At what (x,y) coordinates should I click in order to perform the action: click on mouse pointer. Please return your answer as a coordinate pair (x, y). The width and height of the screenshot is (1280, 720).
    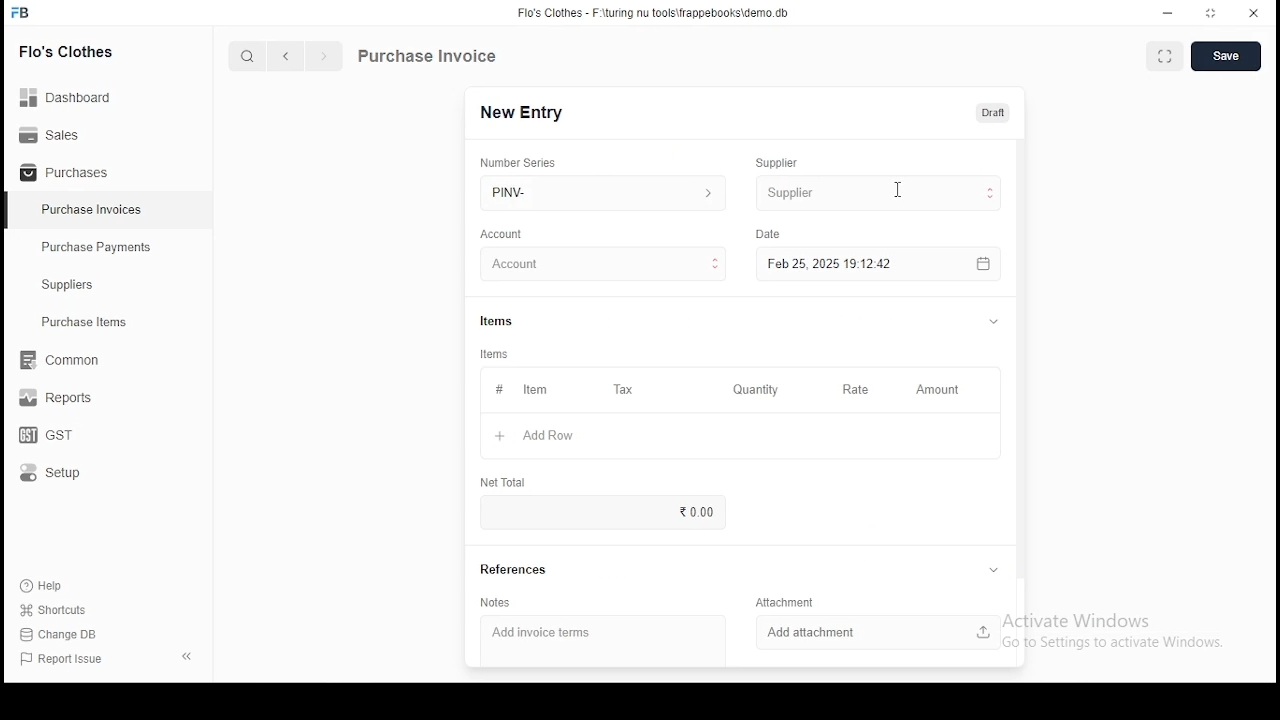
    Looking at the image, I should click on (892, 189).